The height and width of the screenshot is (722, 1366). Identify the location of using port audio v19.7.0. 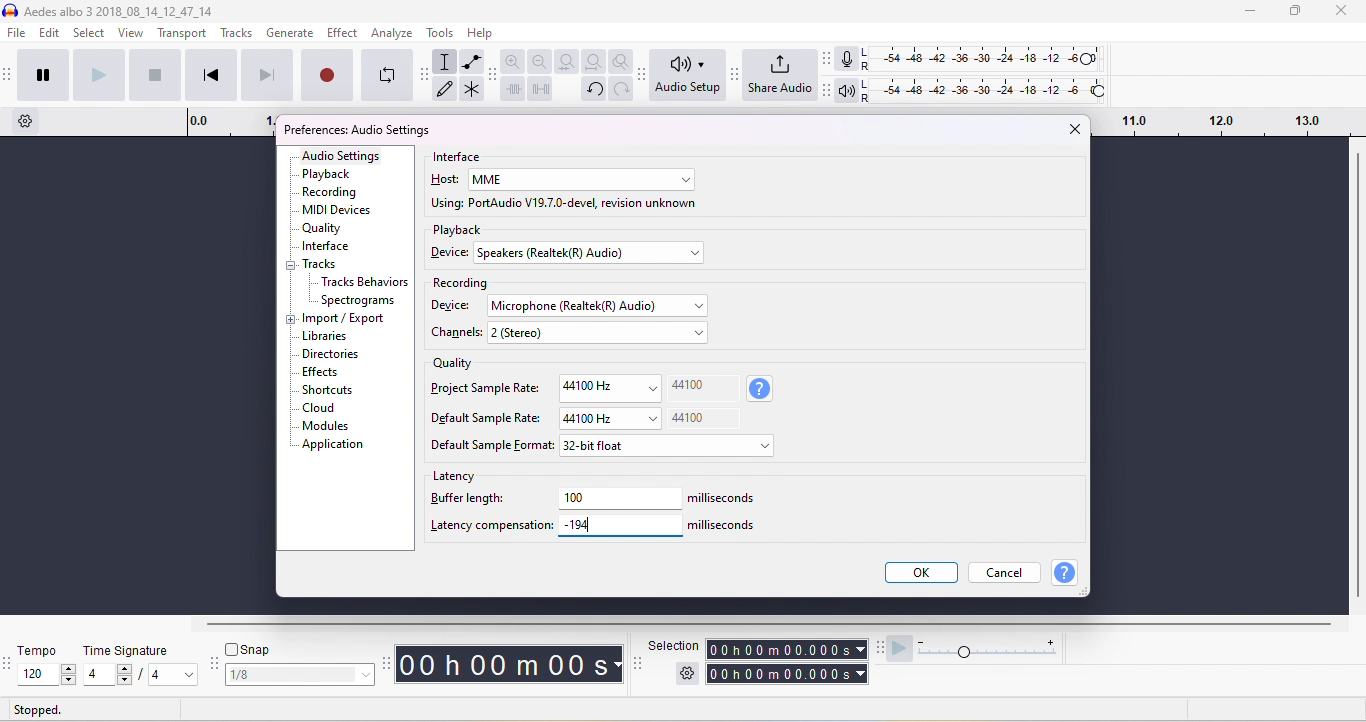
(565, 205).